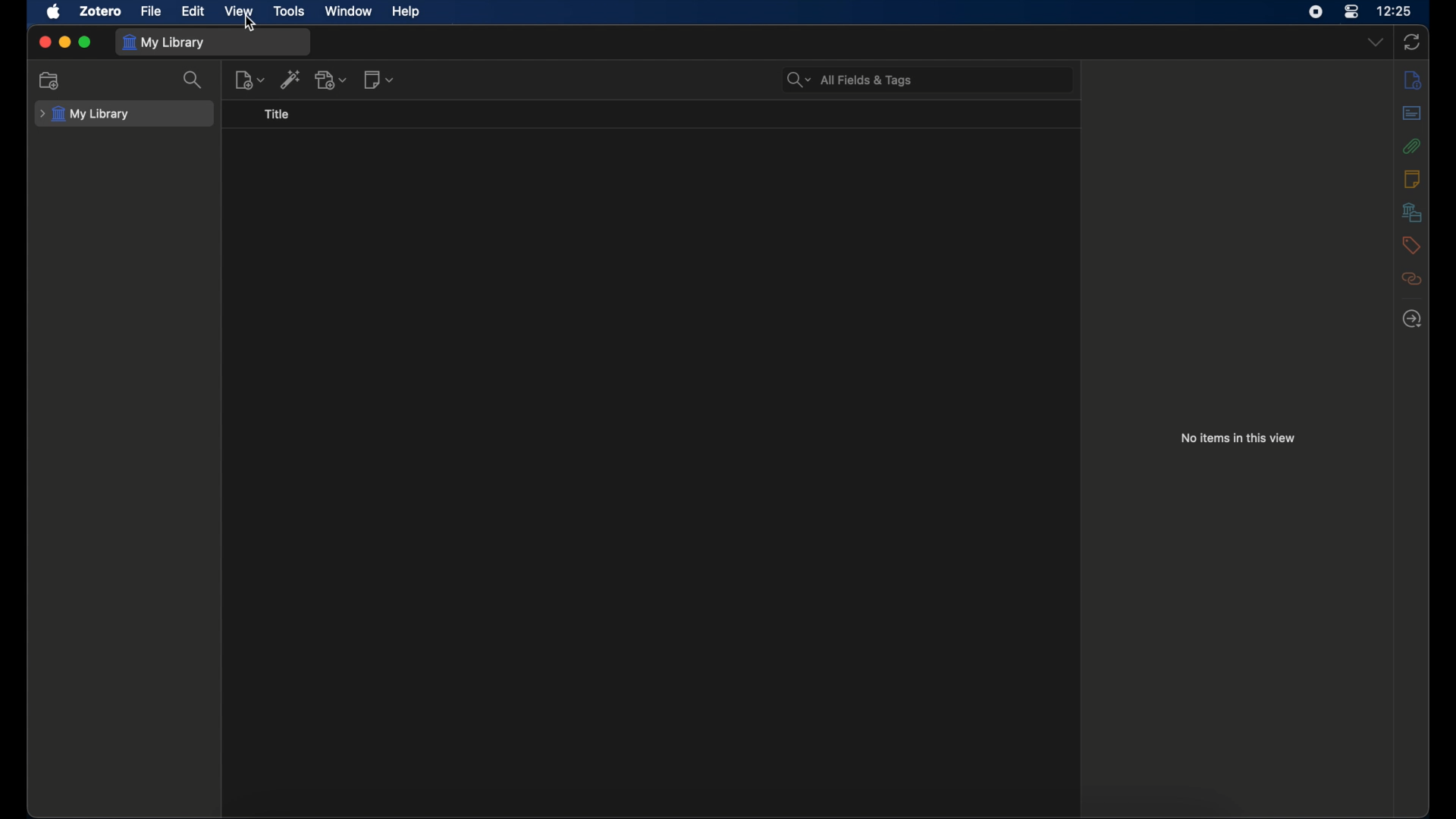 Image resolution: width=1456 pixels, height=819 pixels. I want to click on close, so click(44, 42).